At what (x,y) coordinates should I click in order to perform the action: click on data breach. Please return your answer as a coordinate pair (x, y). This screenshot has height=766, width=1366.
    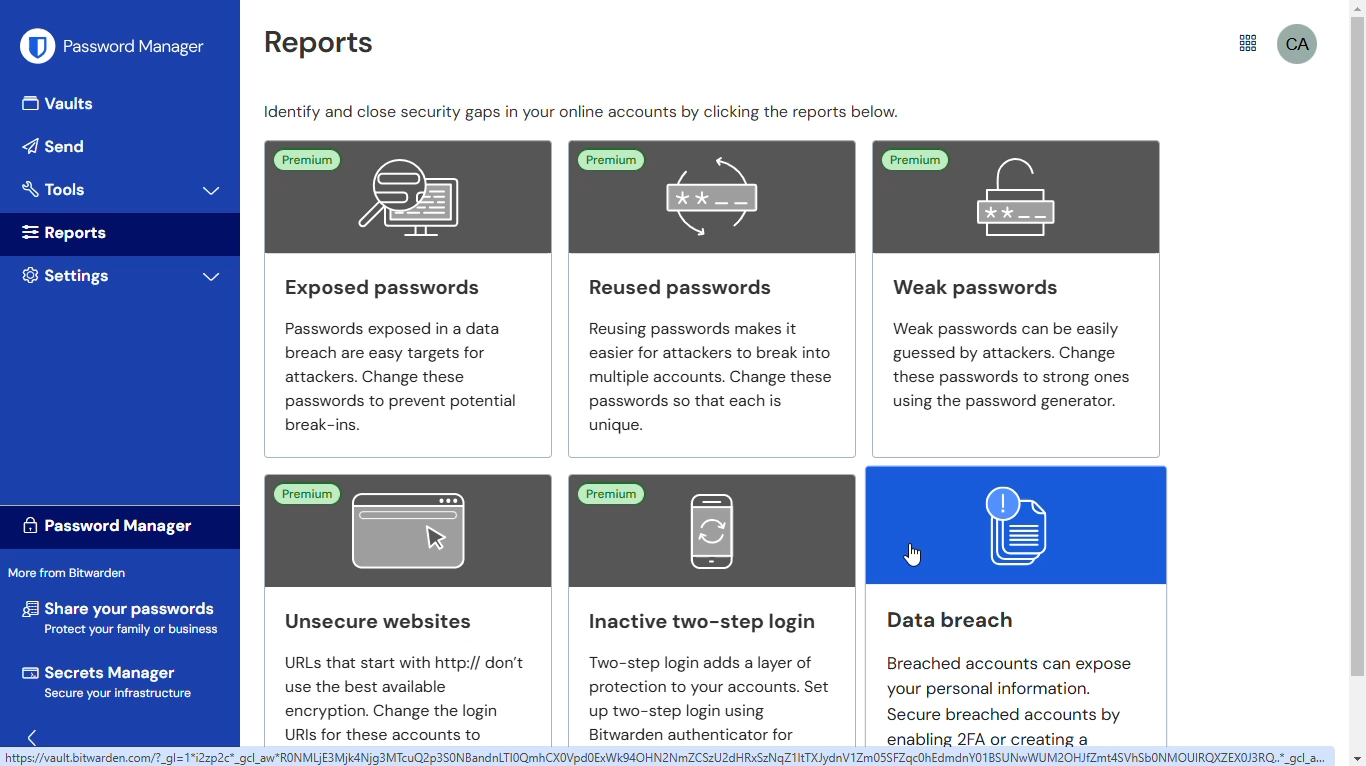
    Looking at the image, I should click on (1018, 523).